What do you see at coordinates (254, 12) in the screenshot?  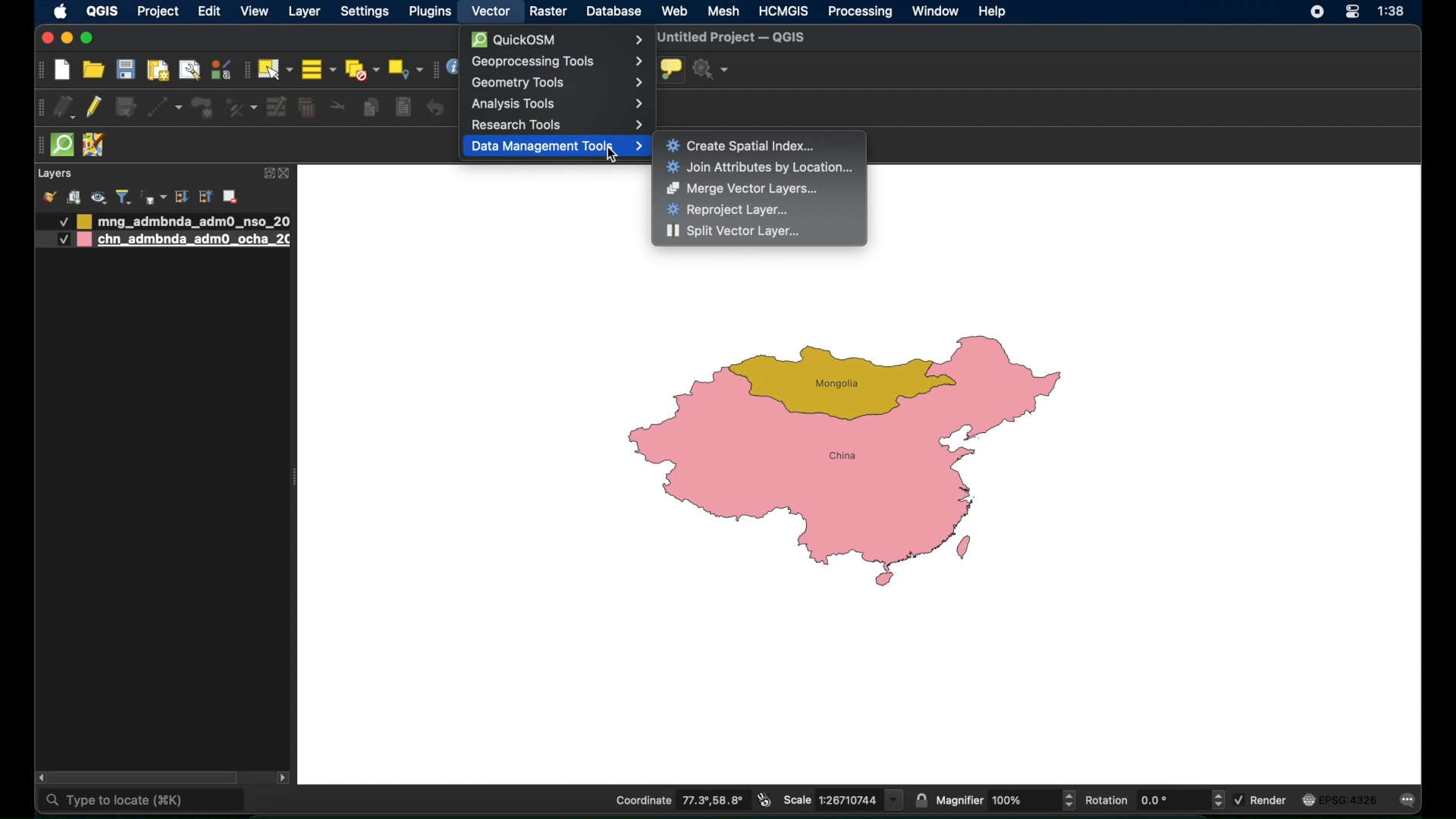 I see `view` at bounding box center [254, 12].